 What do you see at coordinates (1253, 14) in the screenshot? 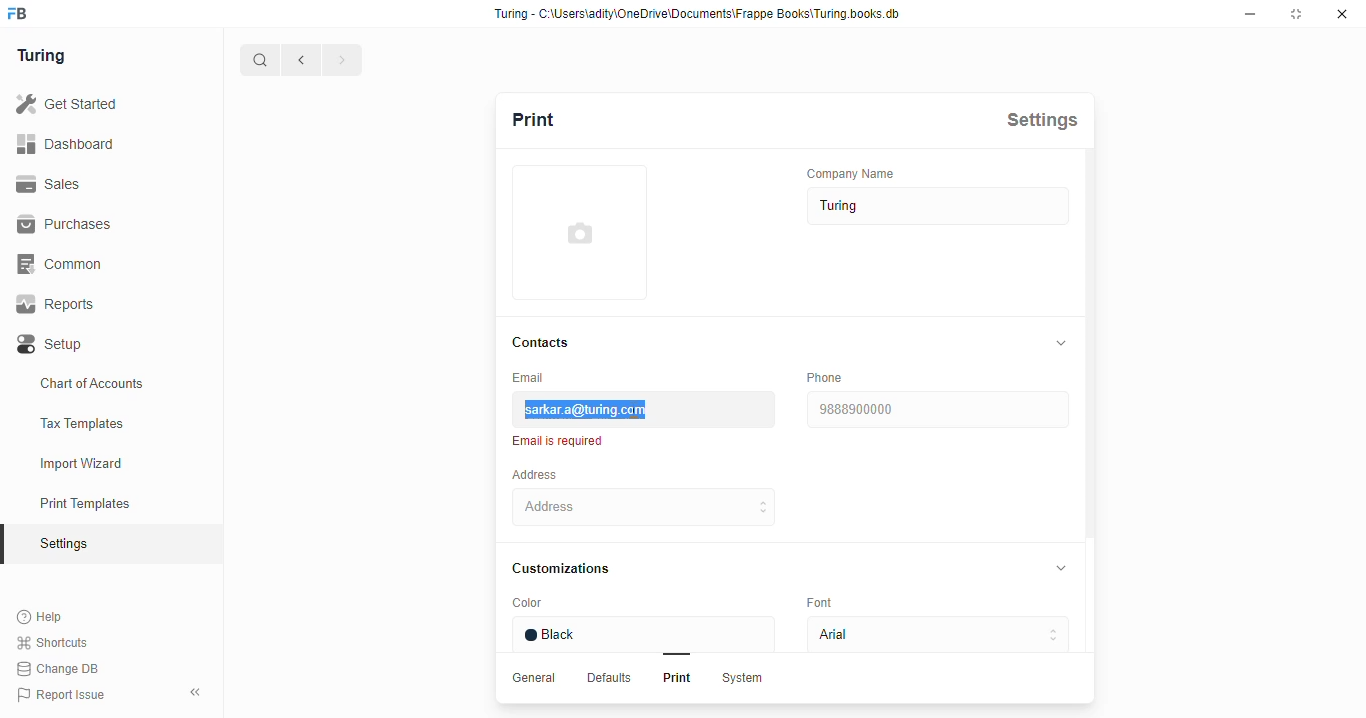
I see `minimise` at bounding box center [1253, 14].